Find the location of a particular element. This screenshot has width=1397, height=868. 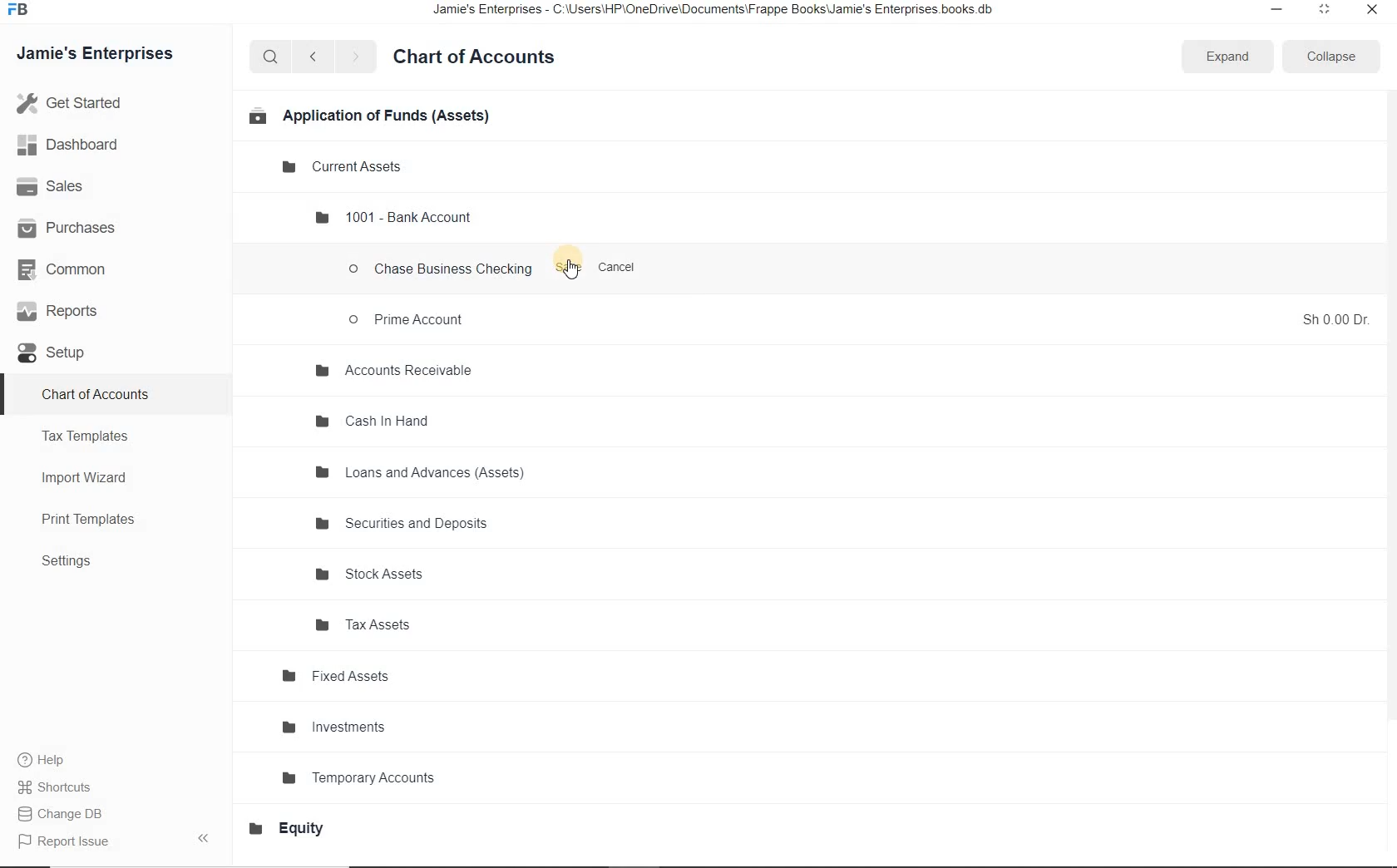

Application of Funds (Assets) is located at coordinates (368, 115).